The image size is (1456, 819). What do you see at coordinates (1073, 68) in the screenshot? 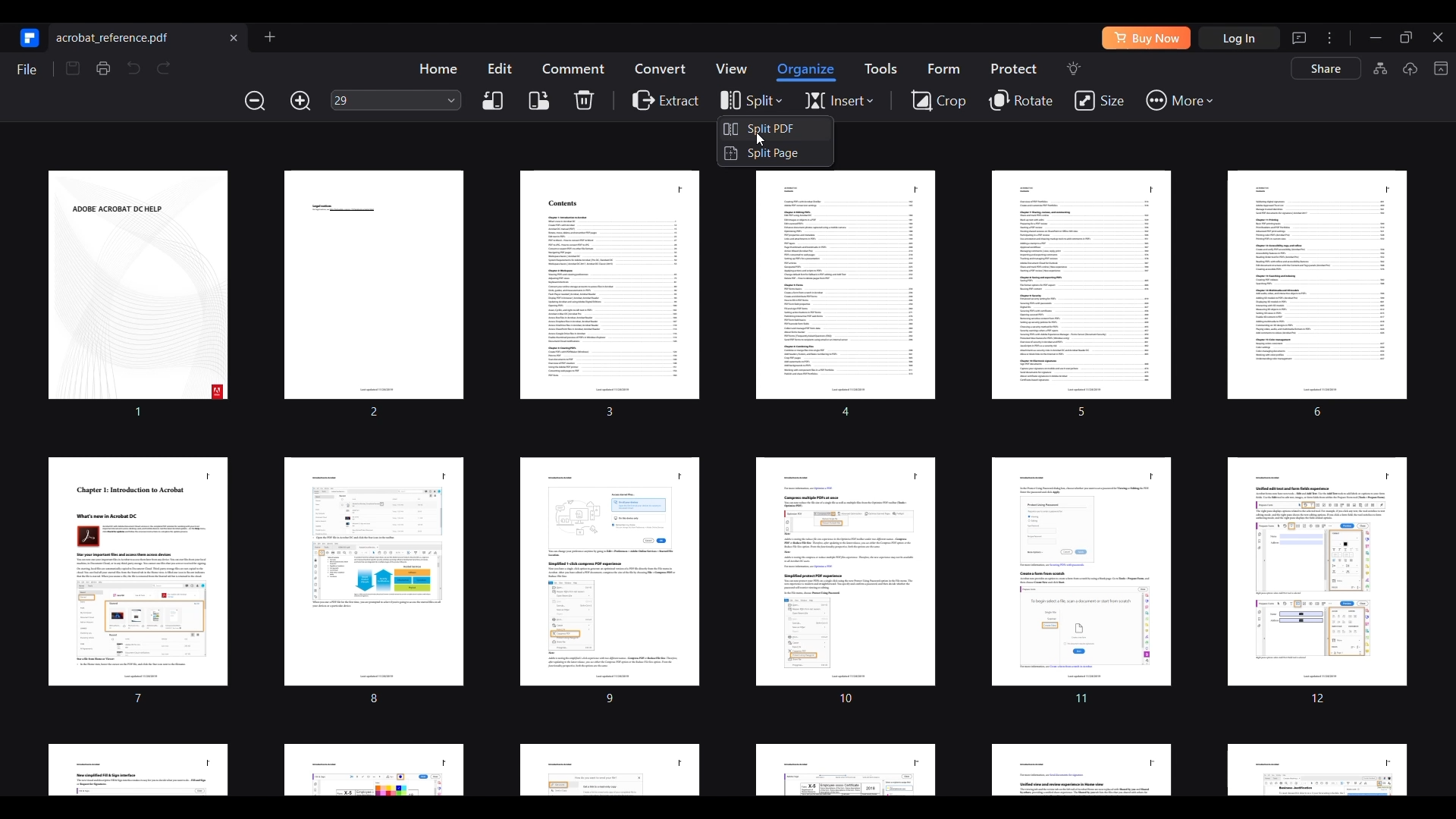
I see `Search tools` at bounding box center [1073, 68].